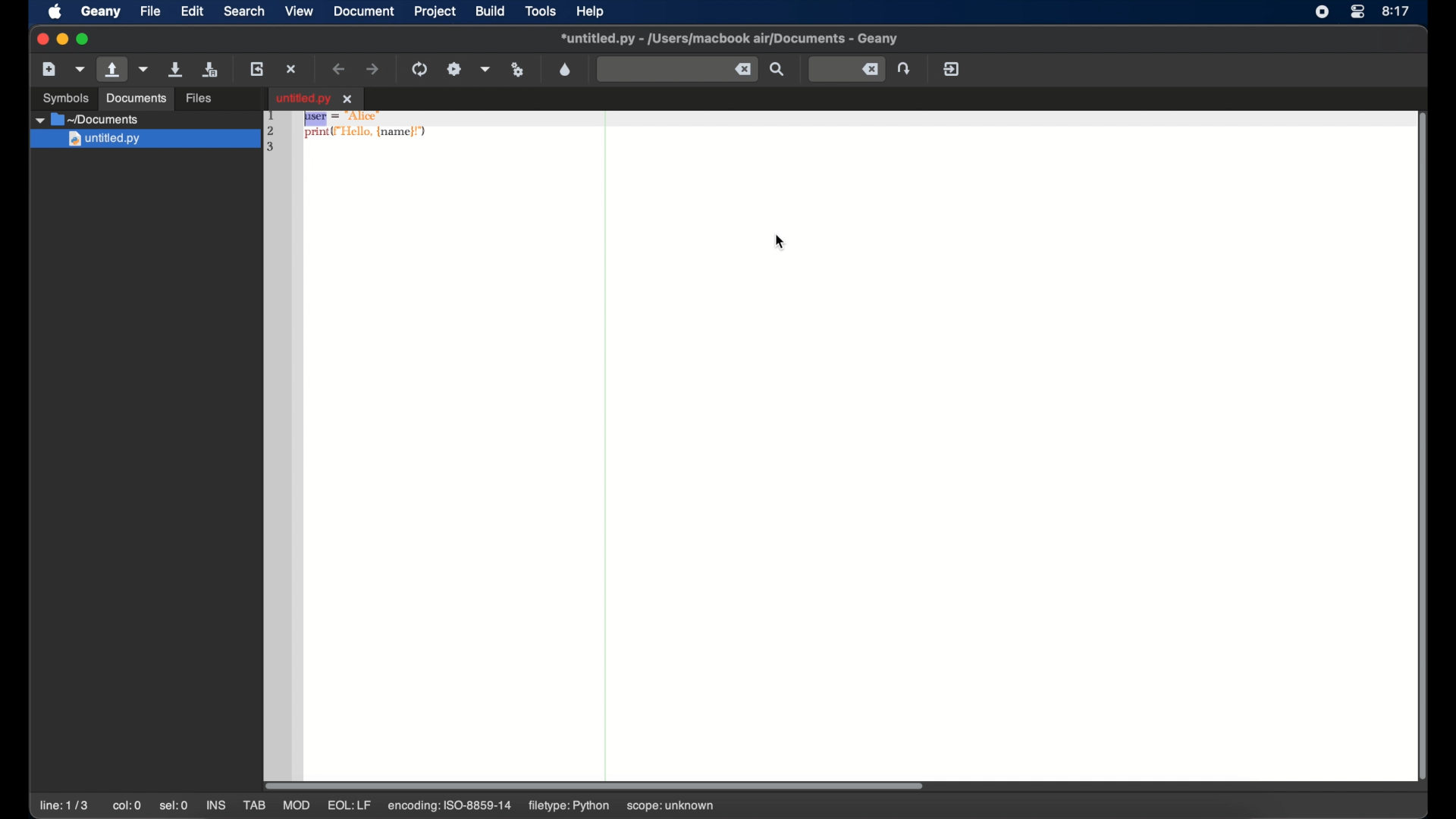 This screenshot has width=1456, height=819. Describe the element at coordinates (67, 98) in the screenshot. I see `symbols` at that location.